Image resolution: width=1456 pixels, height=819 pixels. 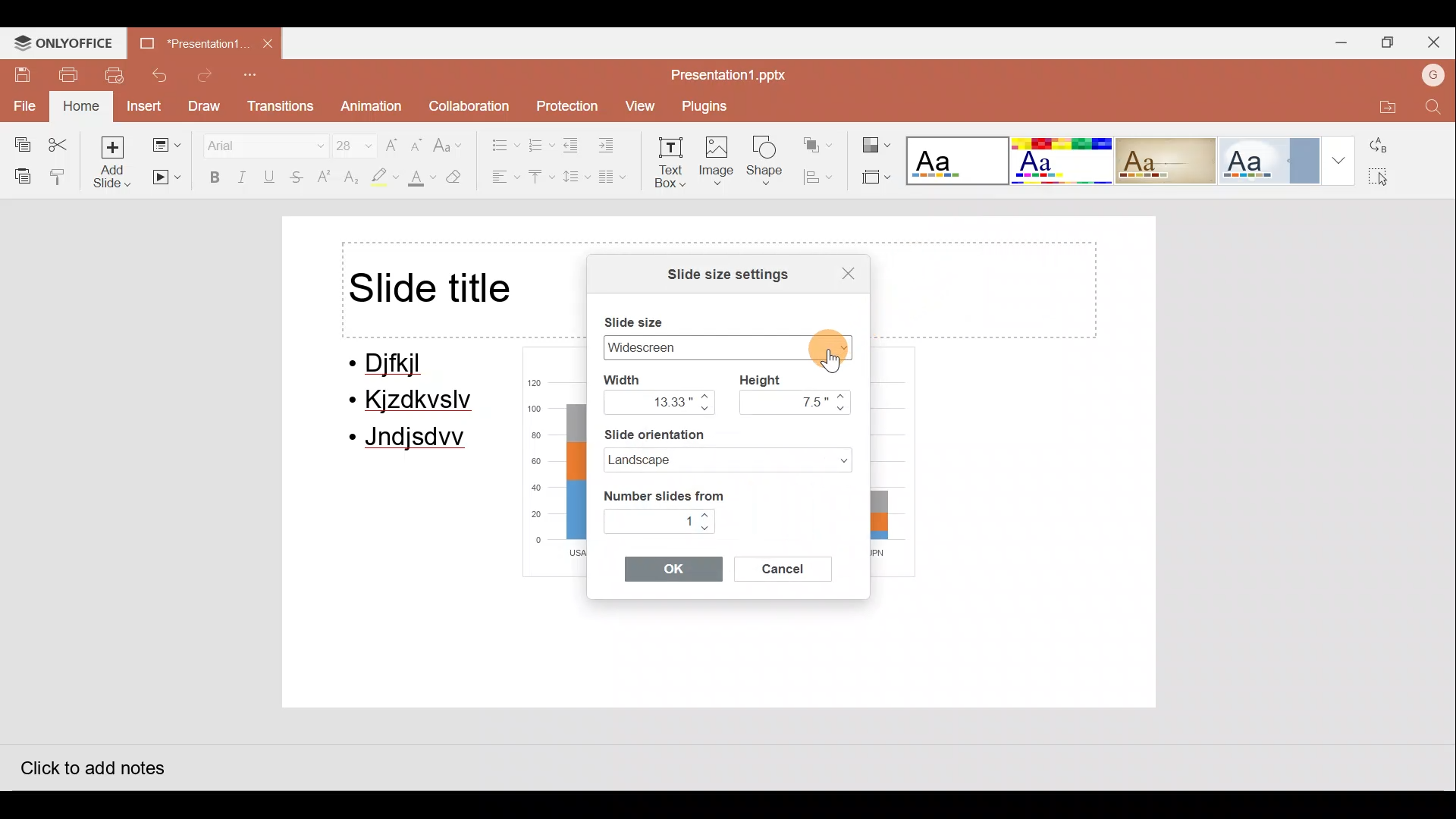 I want to click on Decrease font size, so click(x=419, y=140).